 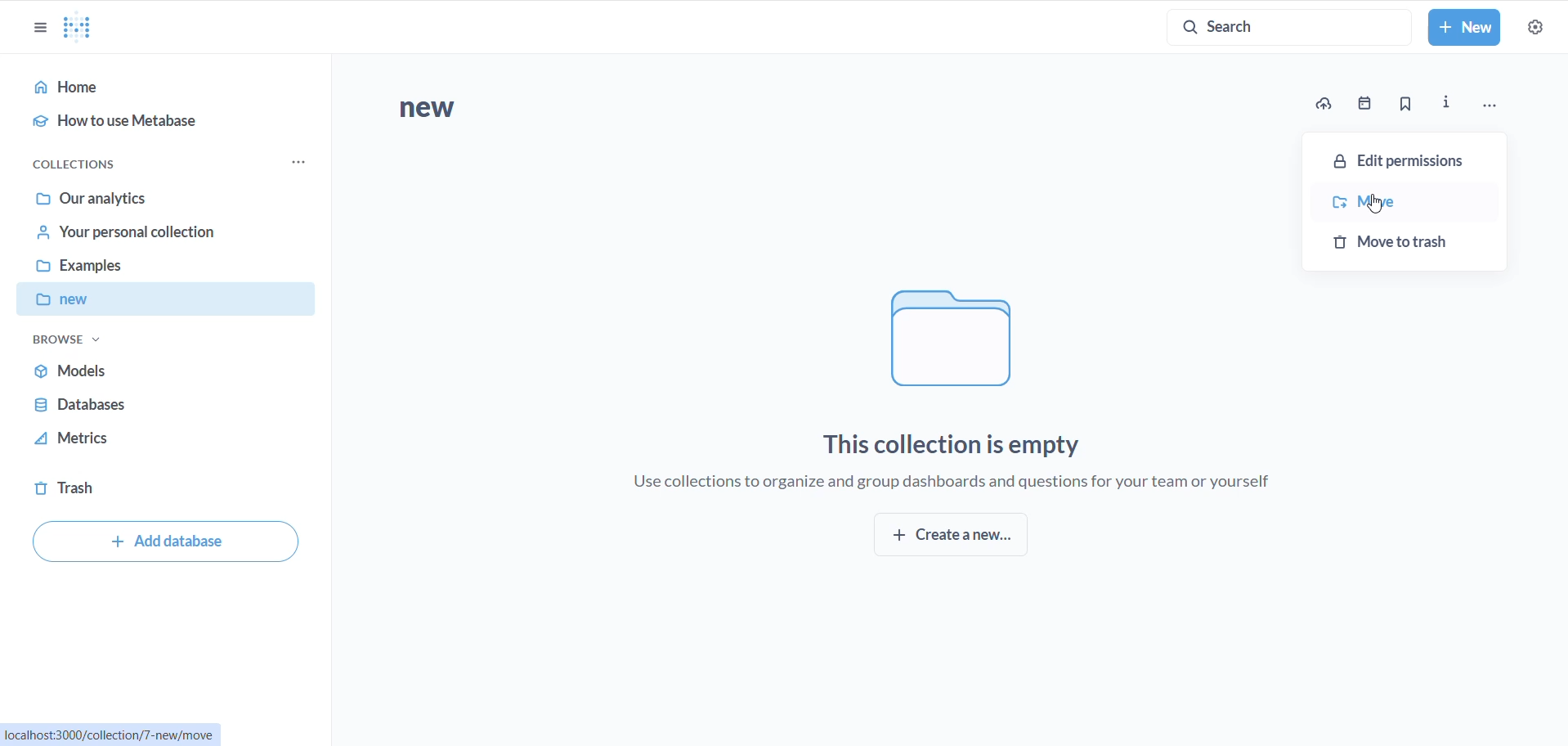 I want to click on new, so click(x=476, y=112).